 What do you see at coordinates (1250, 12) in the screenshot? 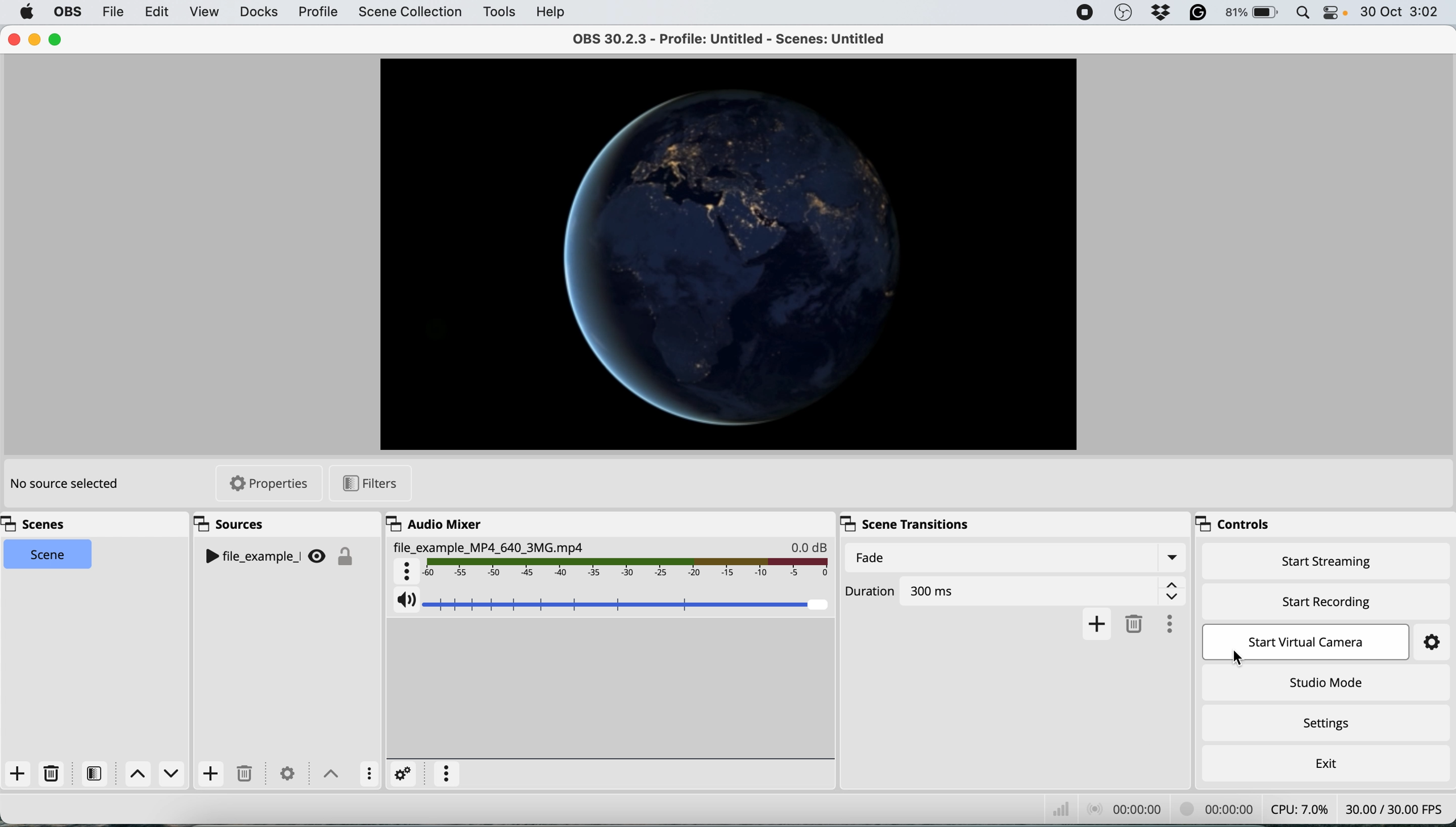
I see `battery` at bounding box center [1250, 12].